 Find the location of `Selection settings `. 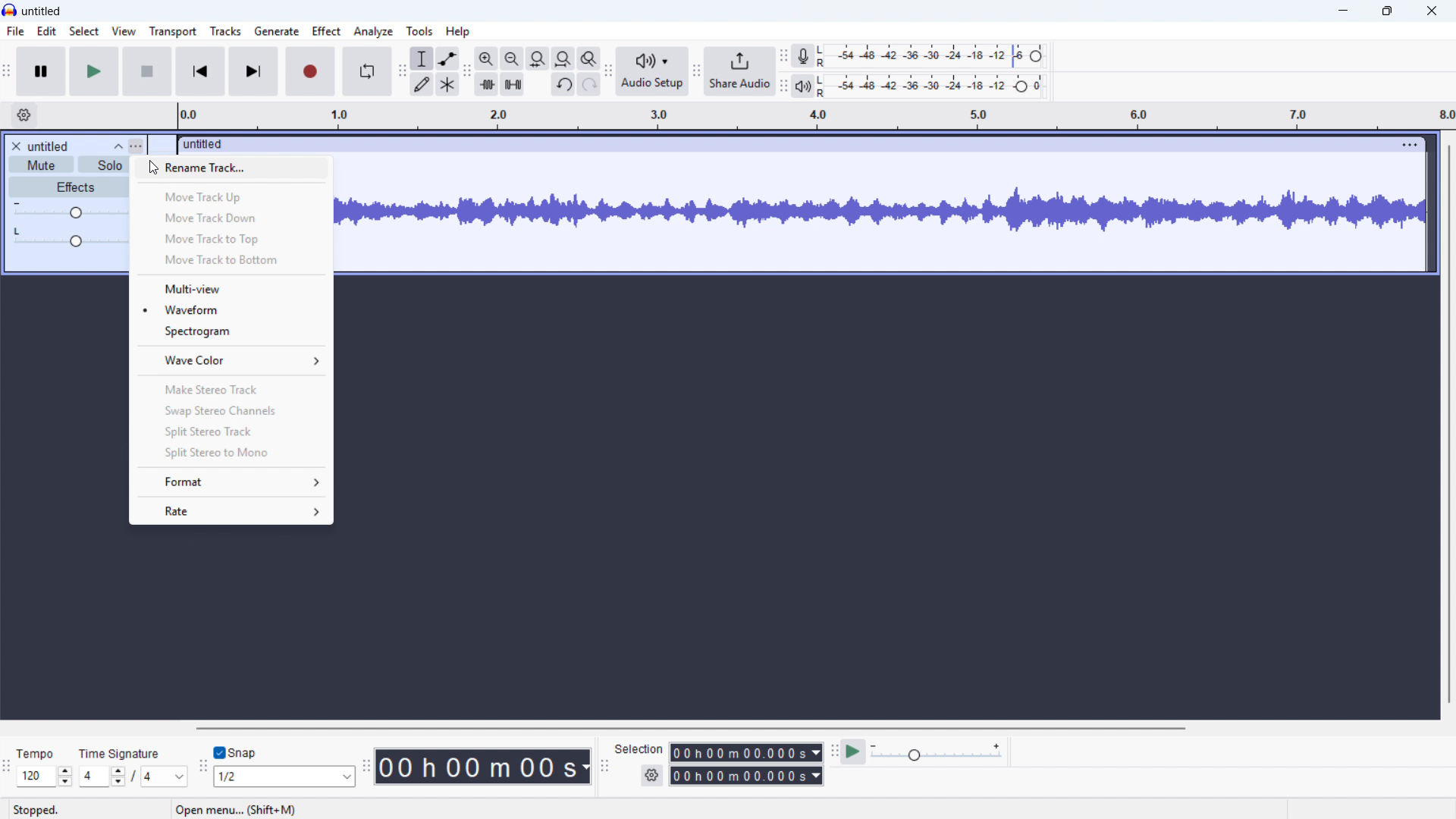

Selection settings  is located at coordinates (652, 775).